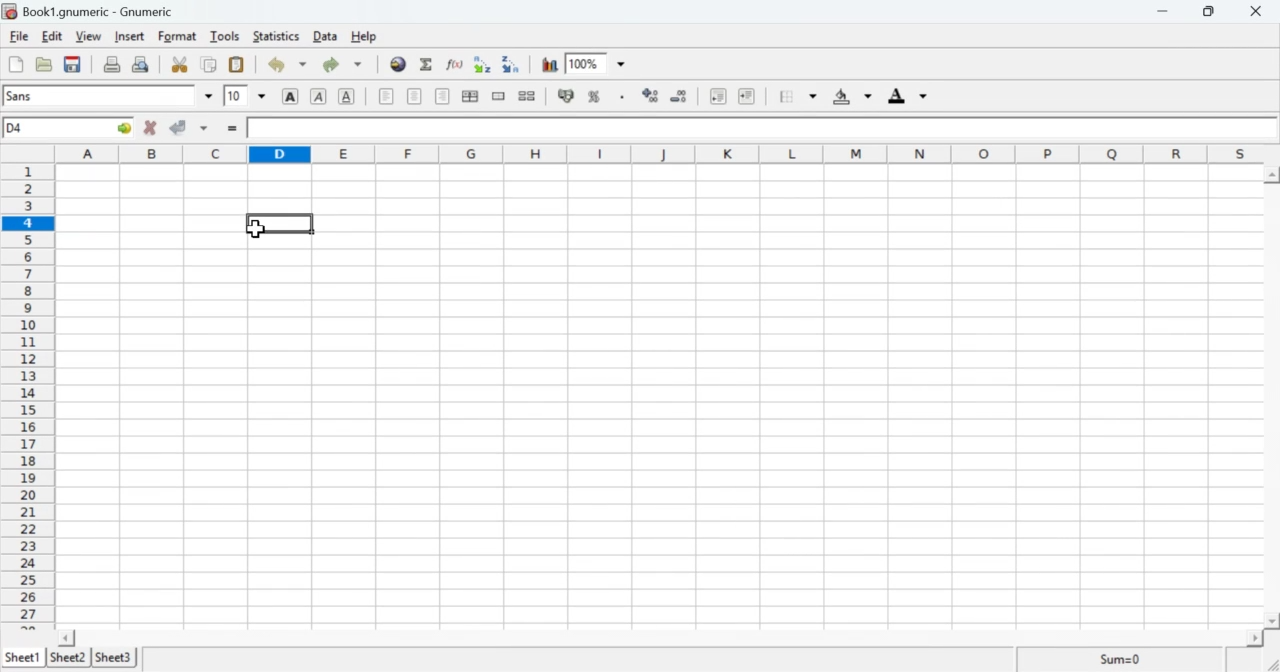 The height and width of the screenshot is (672, 1280). I want to click on cursor, so click(255, 228).